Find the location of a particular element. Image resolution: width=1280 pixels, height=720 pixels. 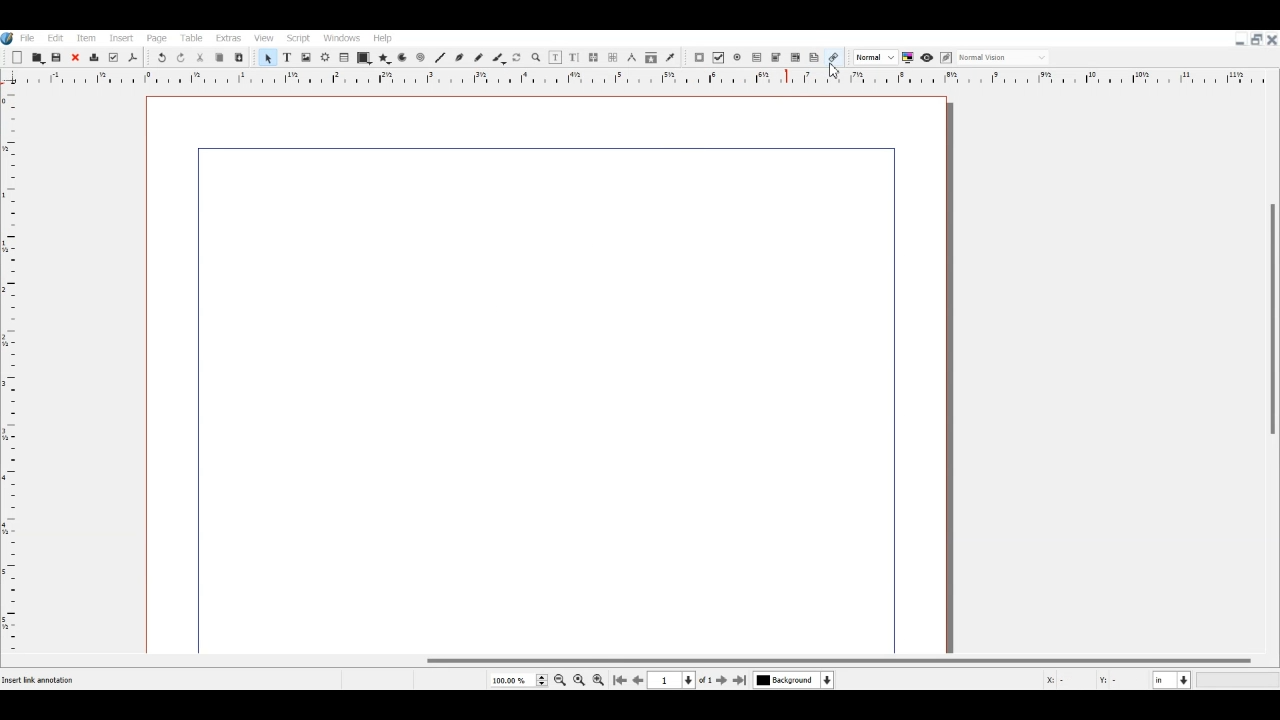

Logo is located at coordinates (8, 38).